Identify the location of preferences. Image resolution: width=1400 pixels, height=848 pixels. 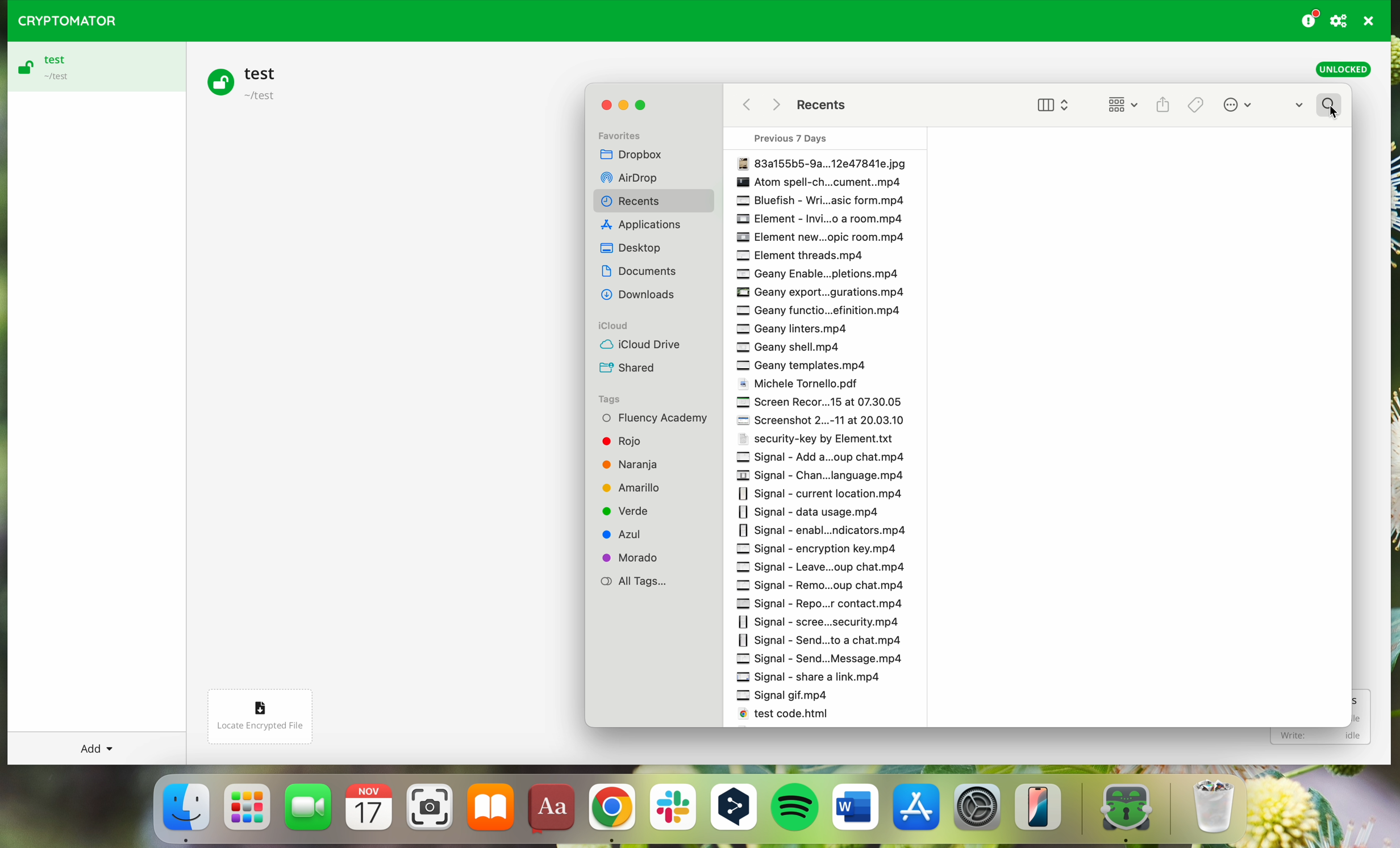
(1340, 20).